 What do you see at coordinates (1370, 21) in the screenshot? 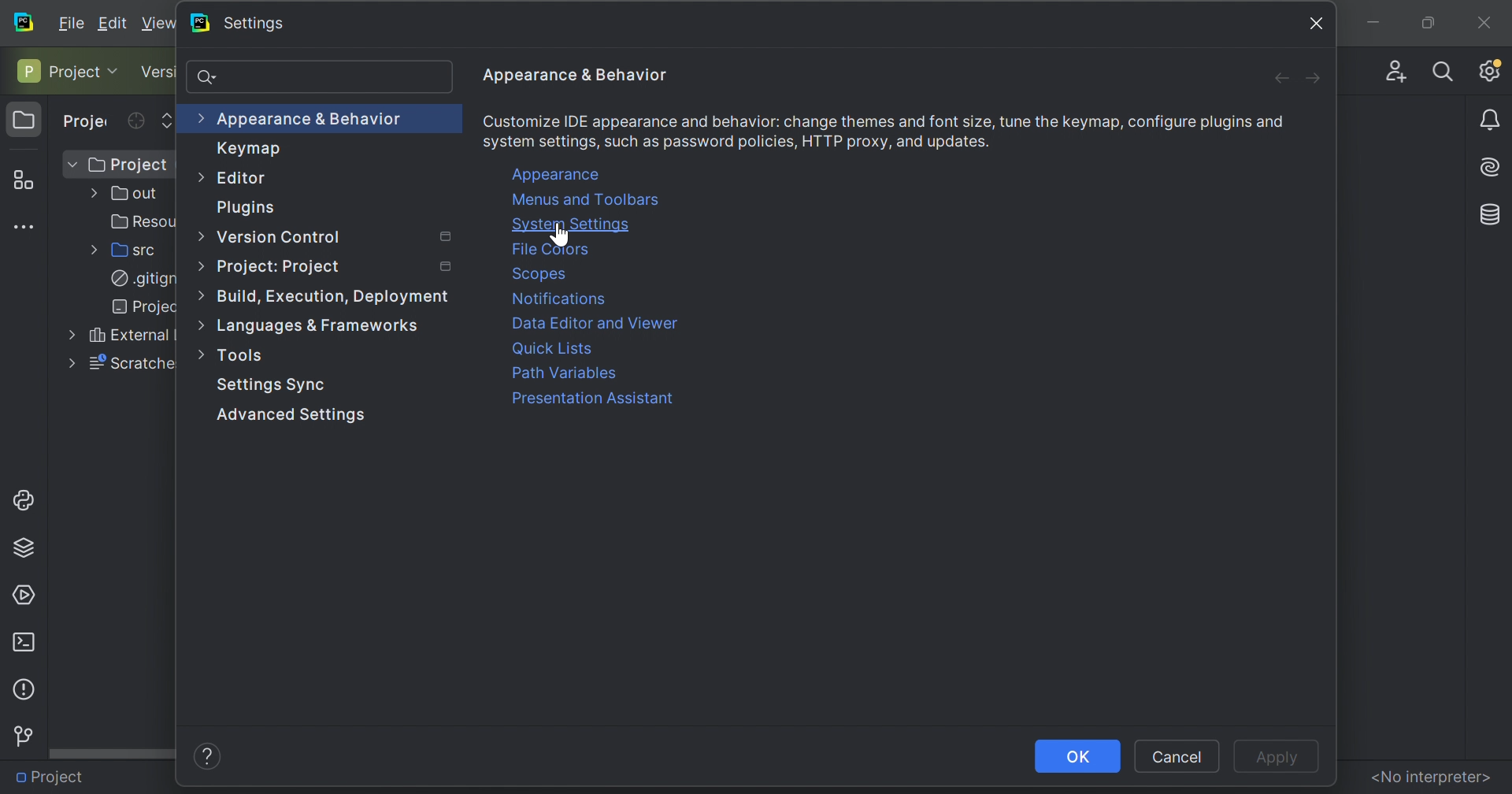
I see `Minimize` at bounding box center [1370, 21].